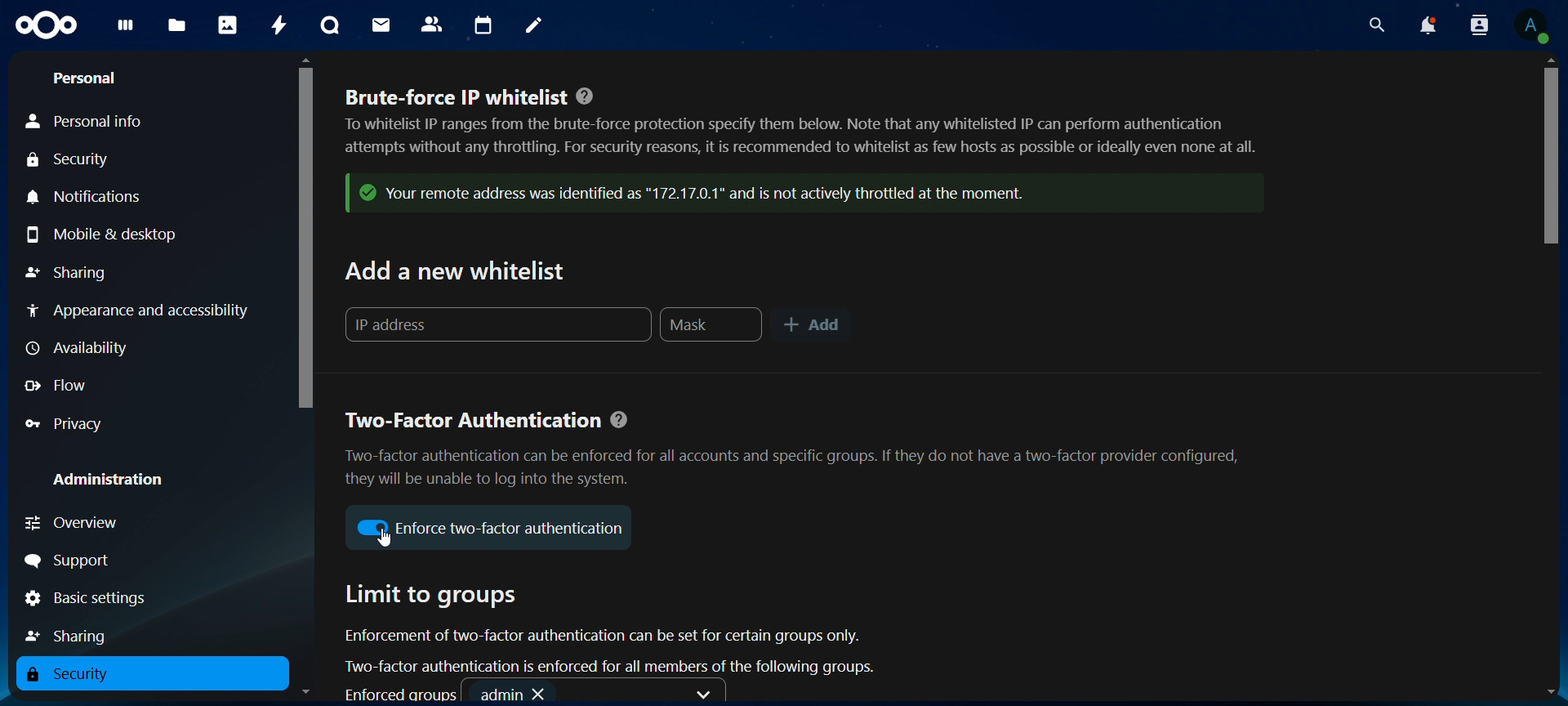  What do you see at coordinates (145, 311) in the screenshot?
I see `appearance and accessibilty` at bounding box center [145, 311].